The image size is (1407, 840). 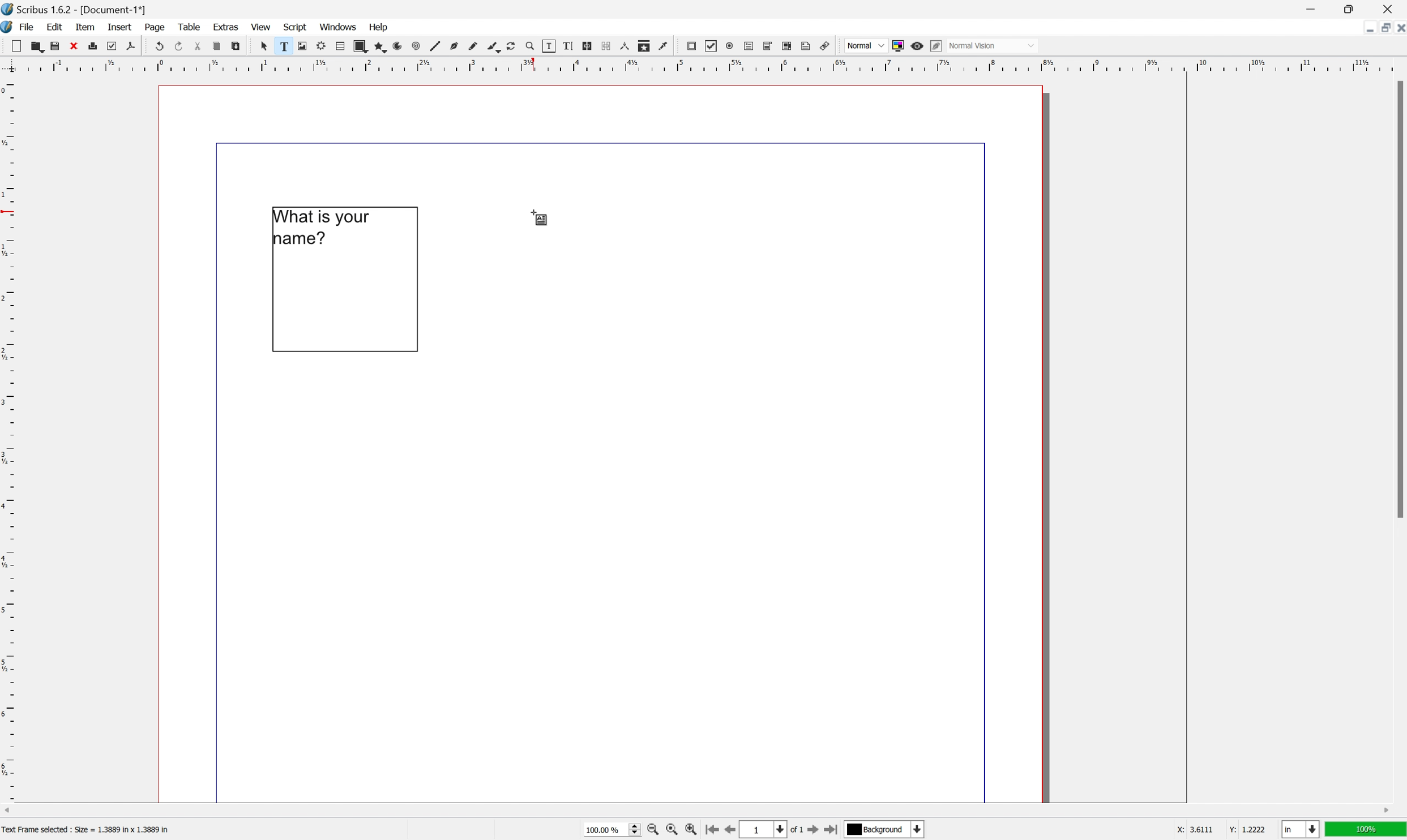 What do you see at coordinates (653, 831) in the screenshot?
I see `zoom in` at bounding box center [653, 831].